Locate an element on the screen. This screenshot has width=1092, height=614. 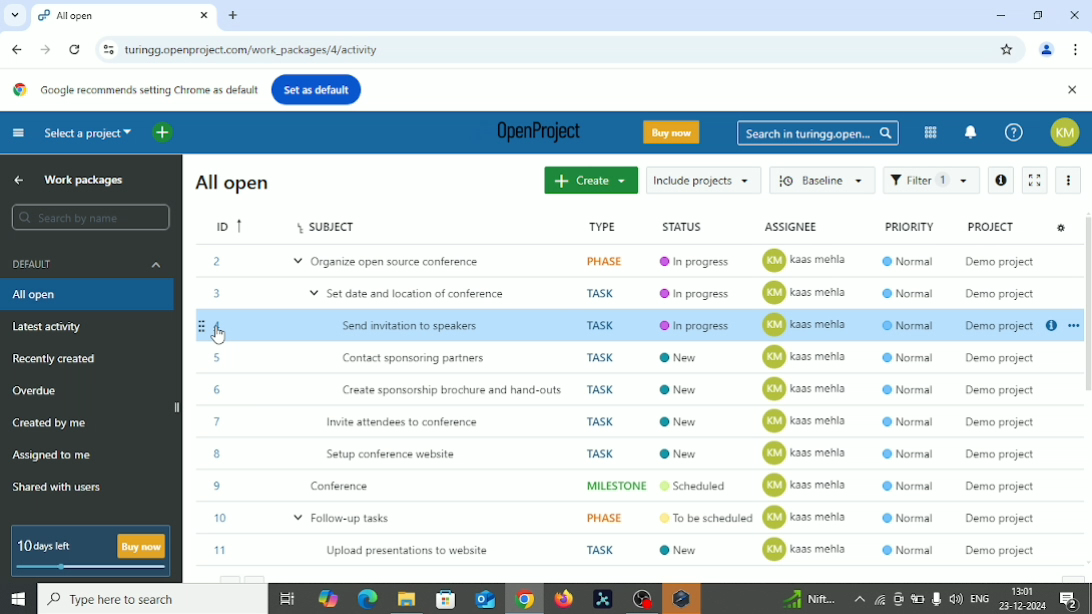
Type is located at coordinates (601, 224).